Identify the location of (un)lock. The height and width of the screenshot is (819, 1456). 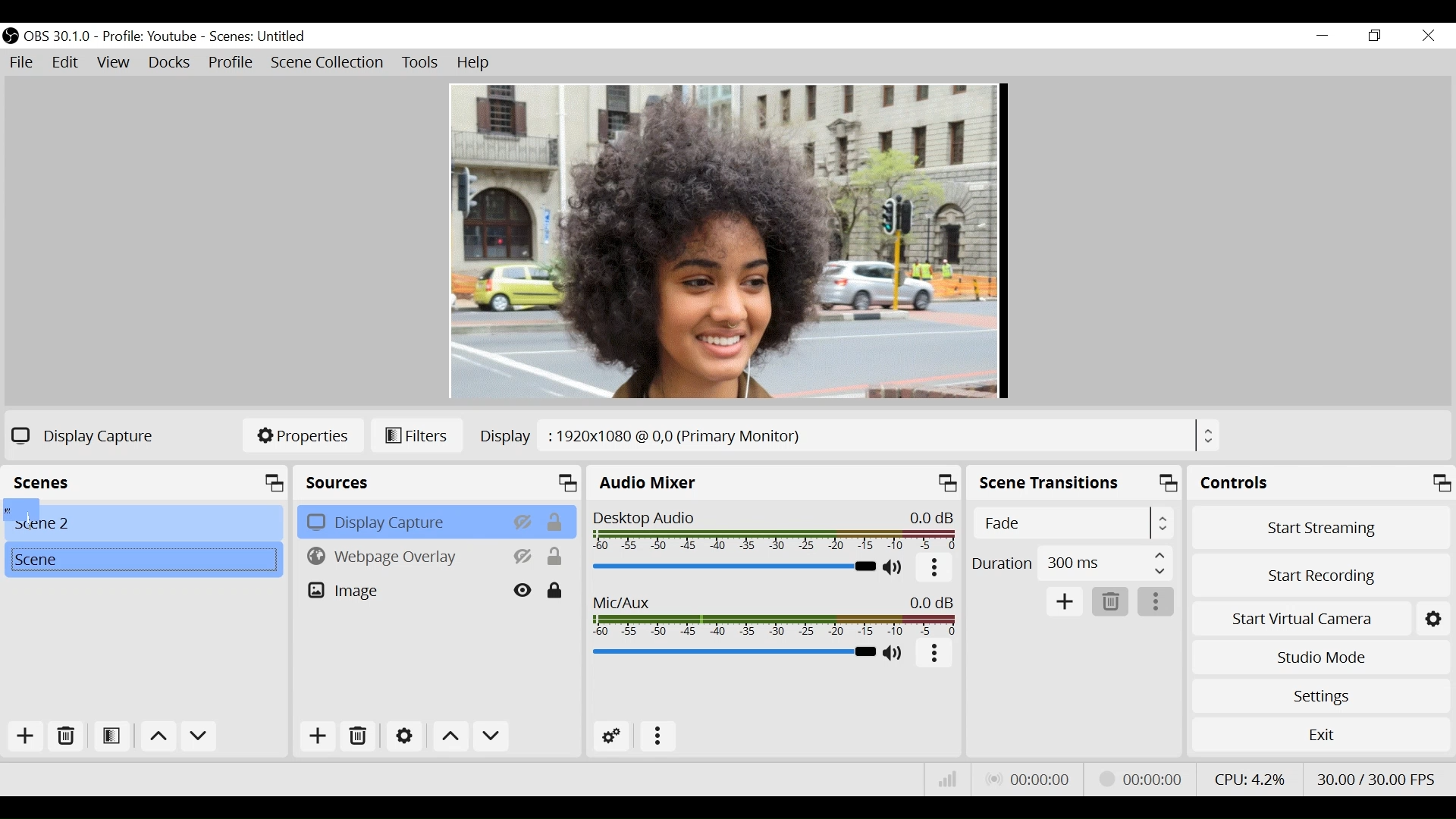
(556, 590).